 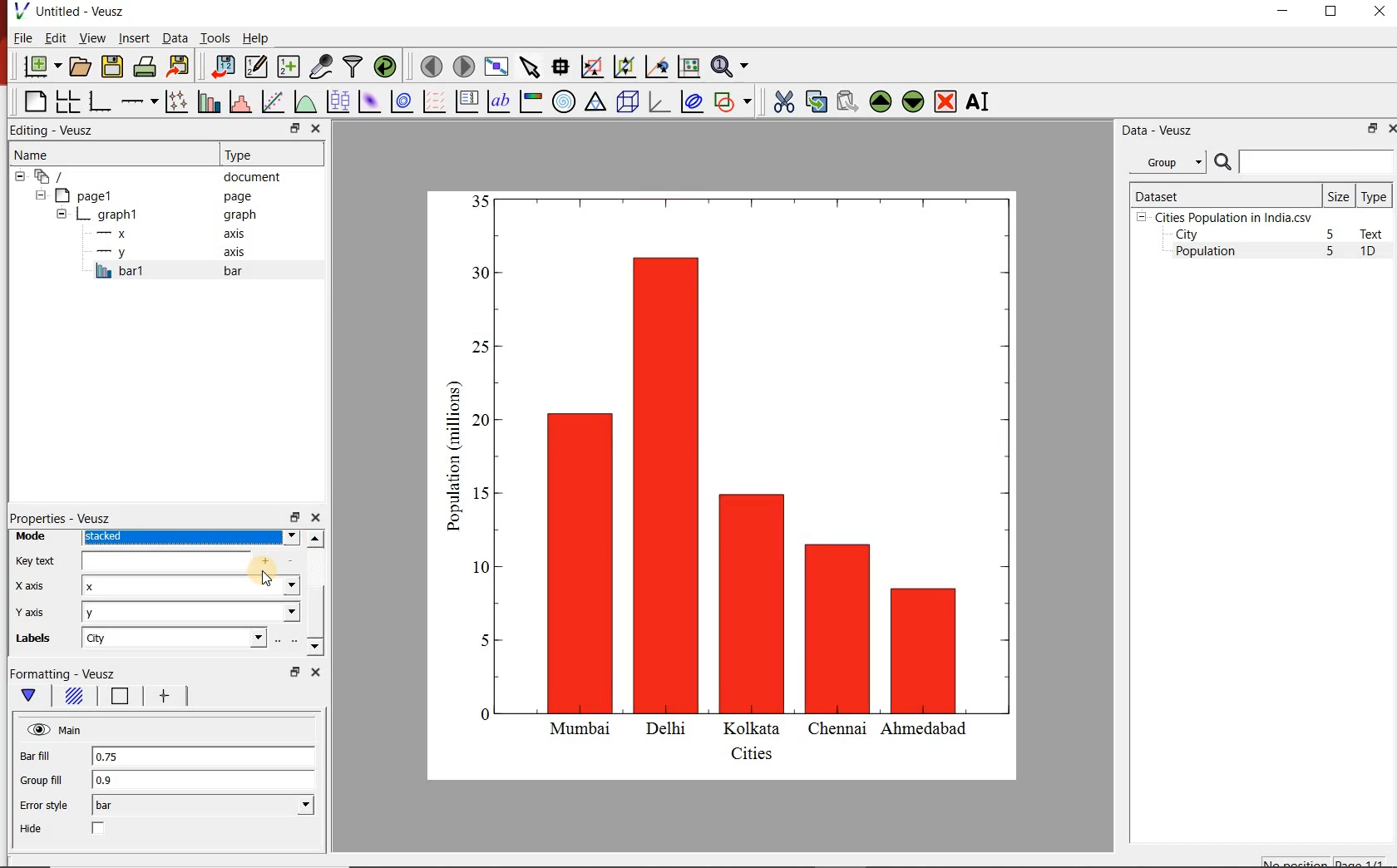 I want to click on document, so click(x=153, y=175).